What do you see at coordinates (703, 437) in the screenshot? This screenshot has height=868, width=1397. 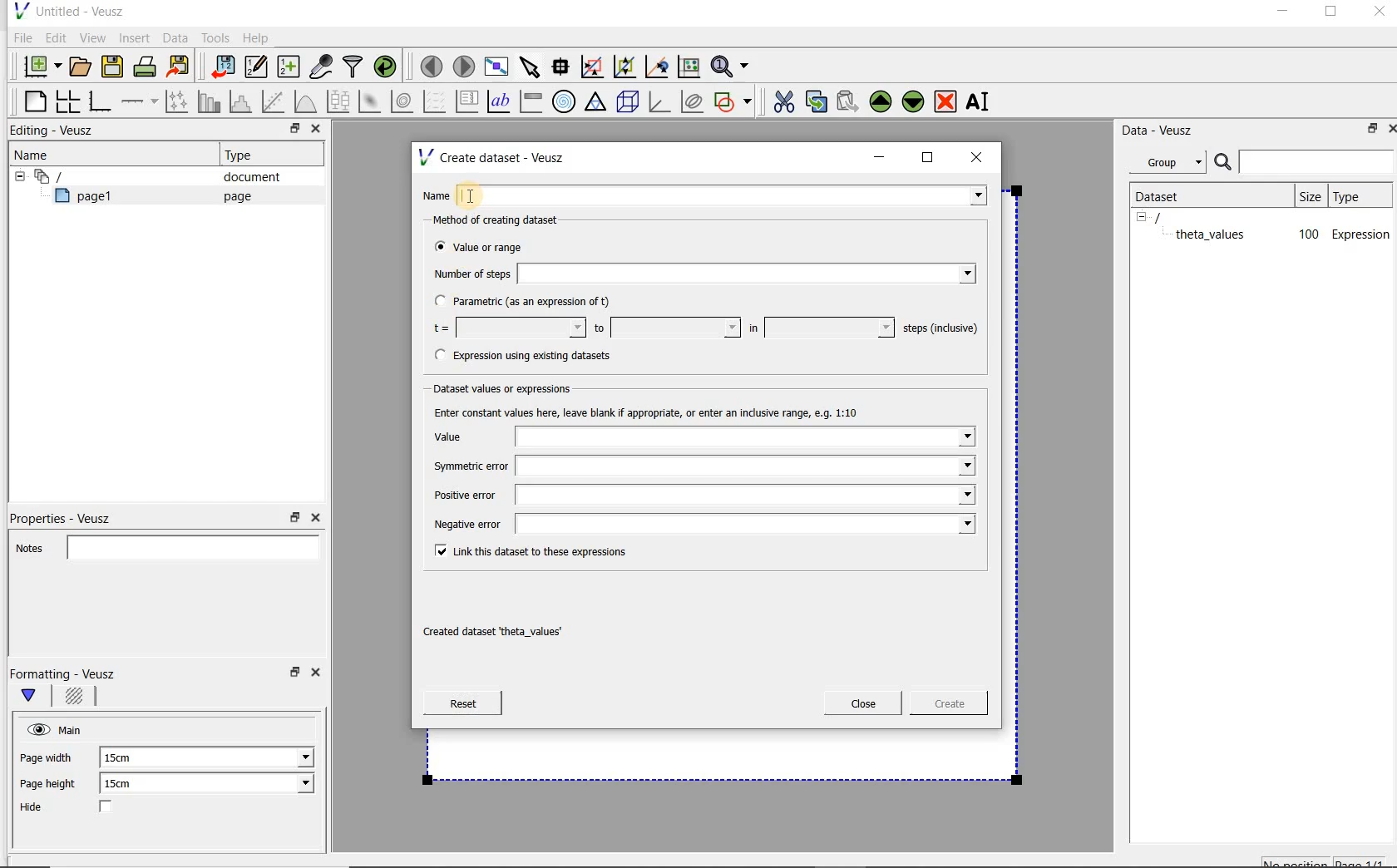 I see `Value` at bounding box center [703, 437].